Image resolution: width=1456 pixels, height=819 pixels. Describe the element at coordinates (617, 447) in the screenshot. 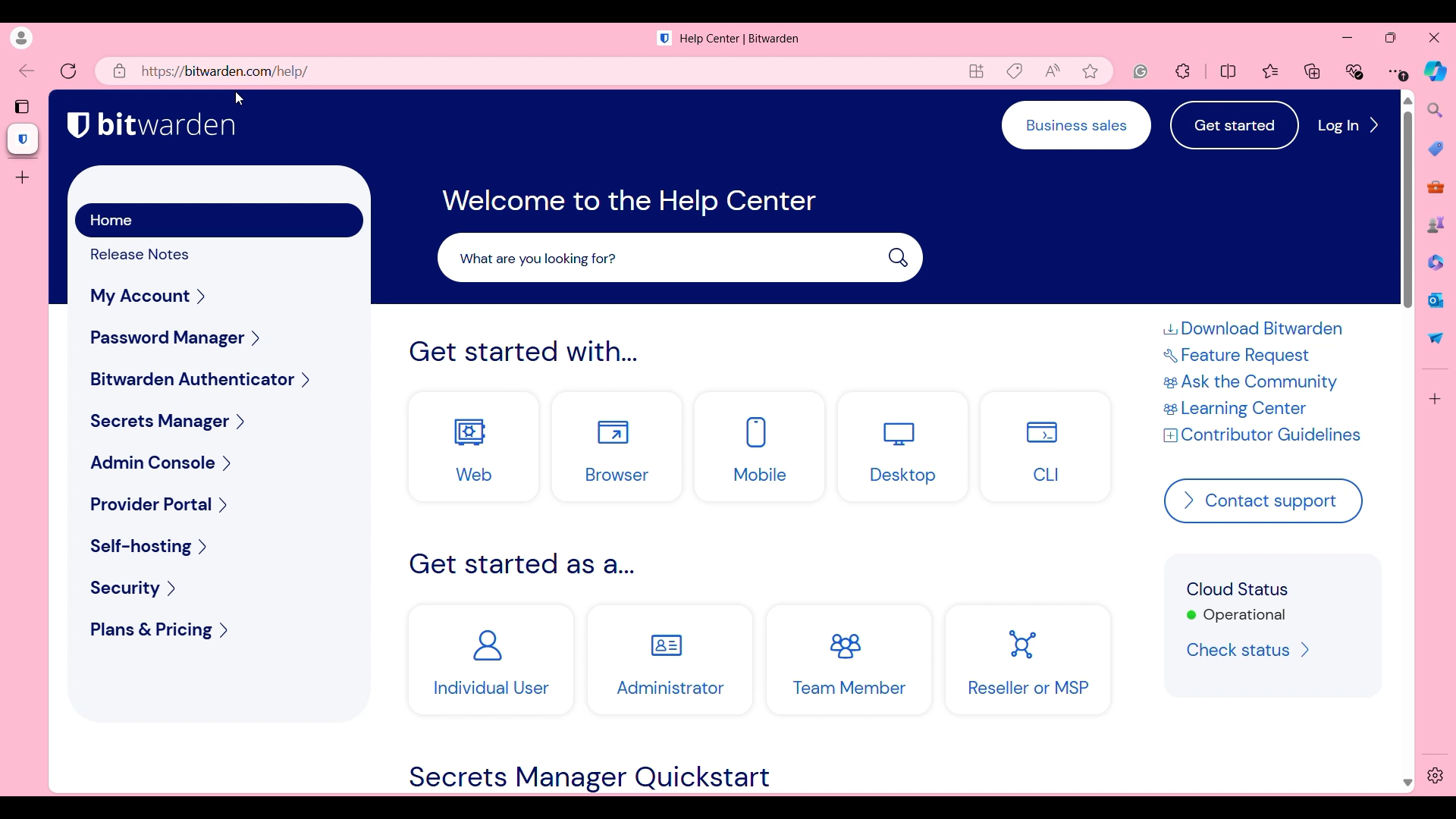

I see `Browser` at that location.